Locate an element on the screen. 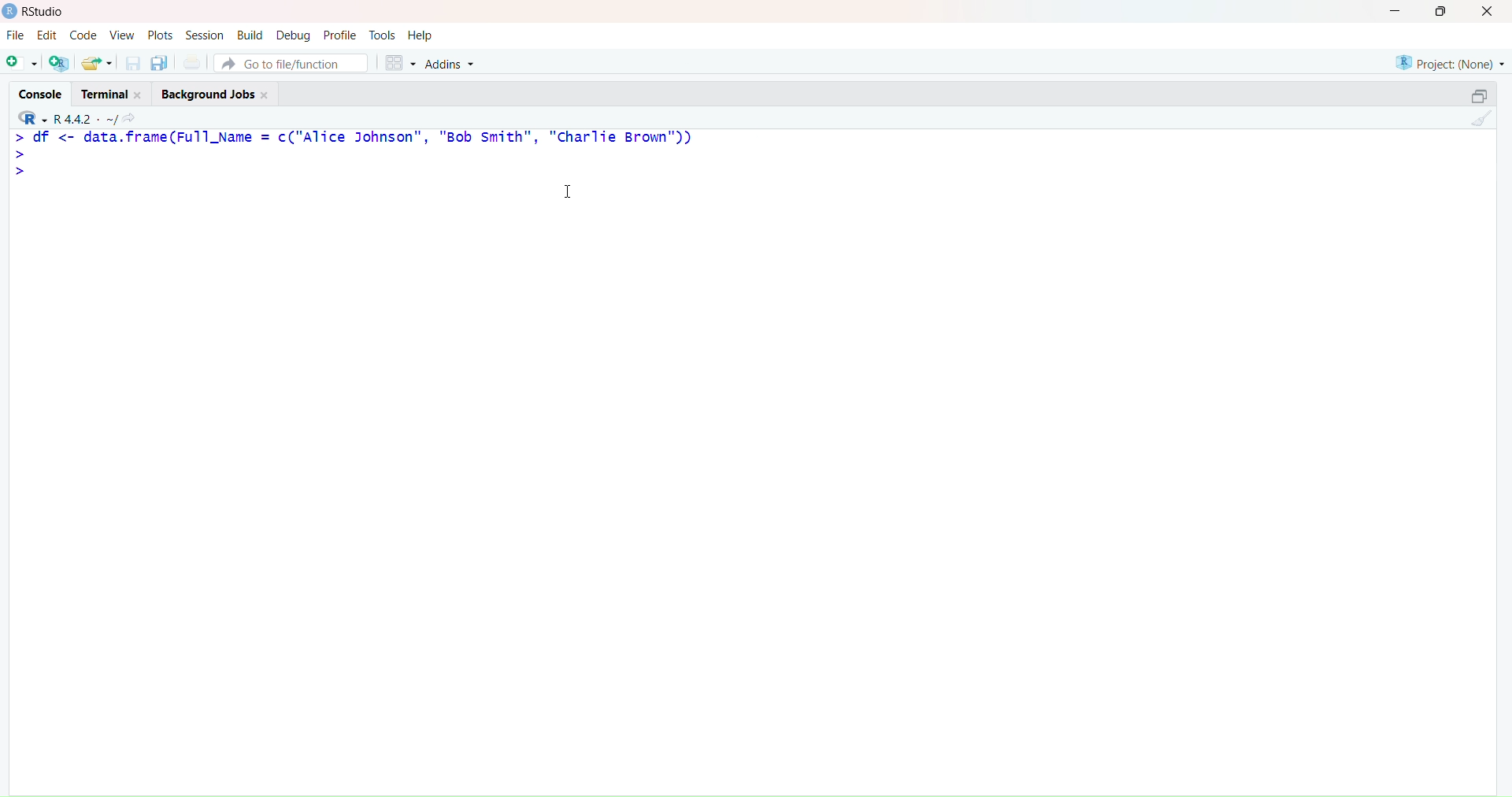  Go to file/function is located at coordinates (291, 62).